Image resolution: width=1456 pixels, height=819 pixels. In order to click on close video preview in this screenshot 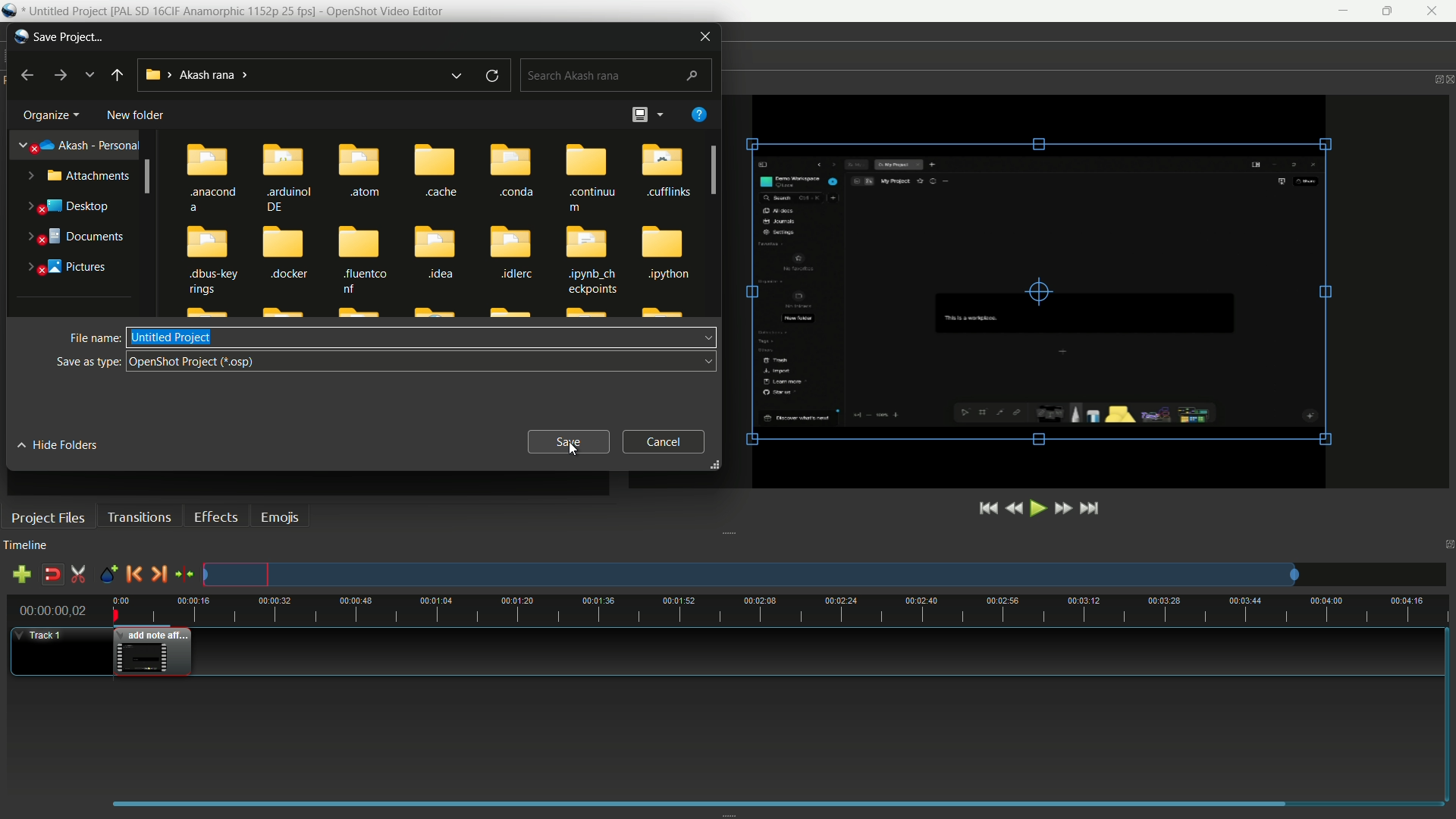, I will do `click(1447, 78)`.